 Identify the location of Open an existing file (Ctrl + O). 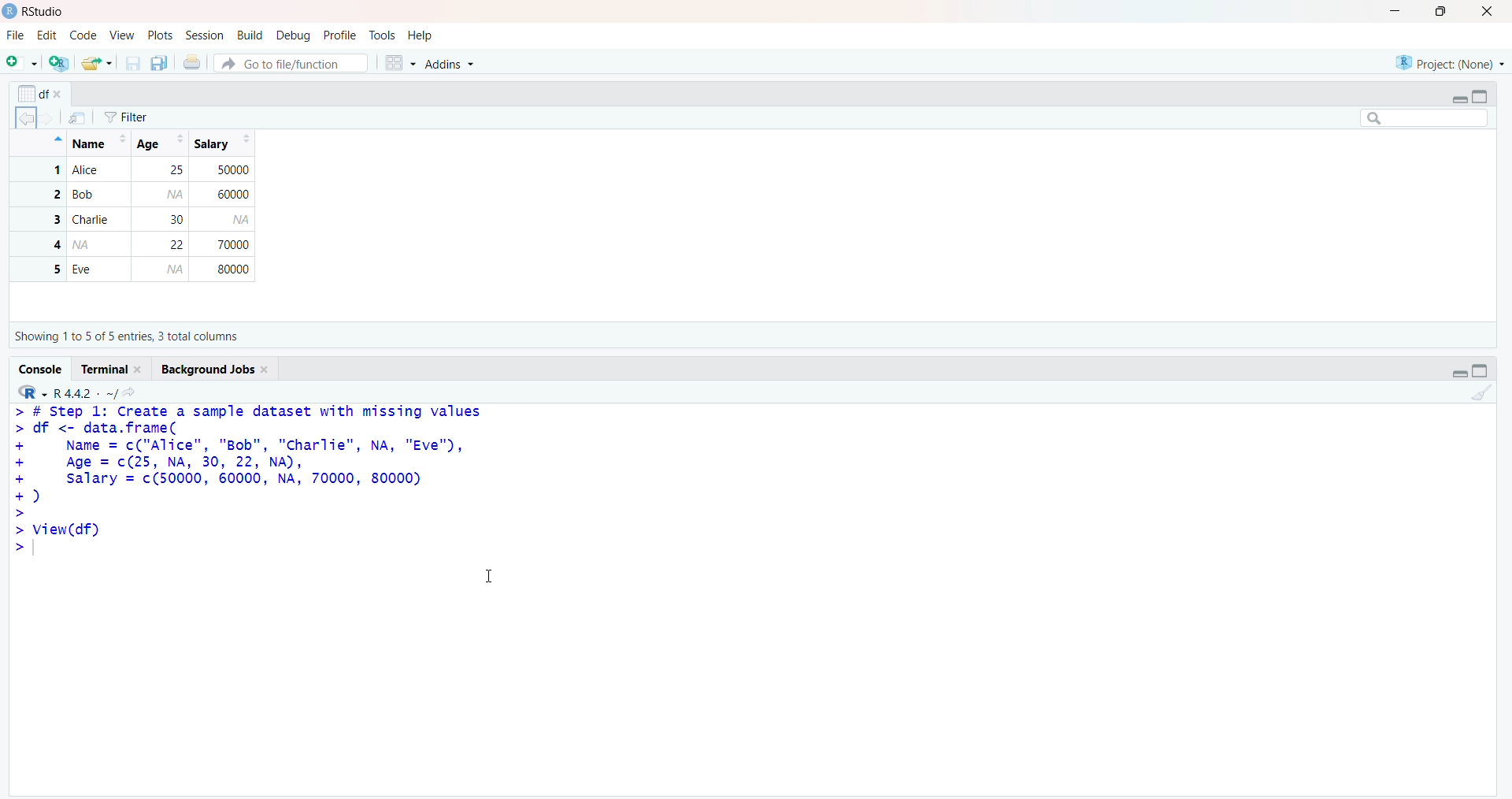
(94, 63).